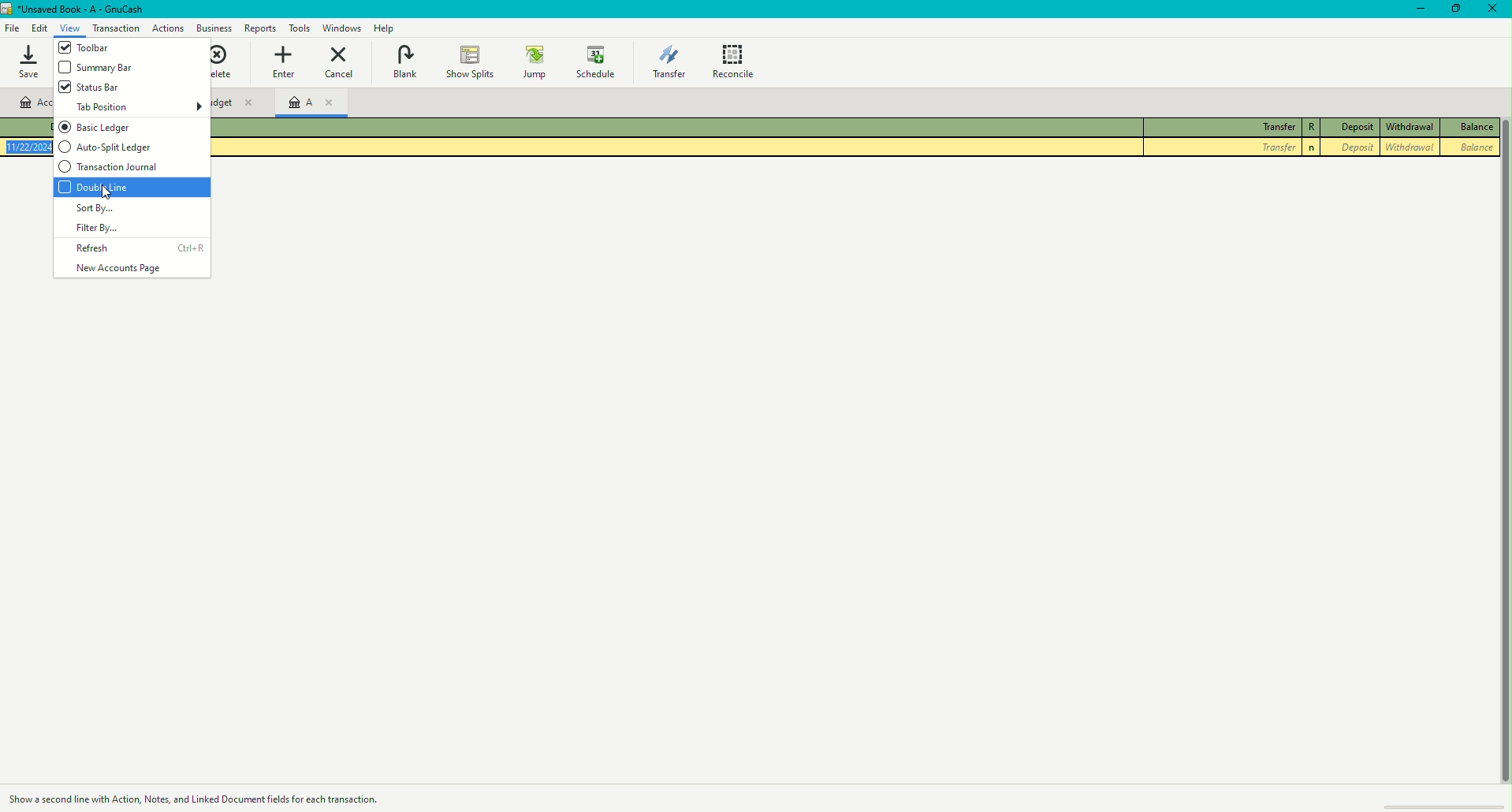 The width and height of the screenshot is (1512, 812). Describe the element at coordinates (106, 148) in the screenshot. I see `Auto-split ledger` at that location.